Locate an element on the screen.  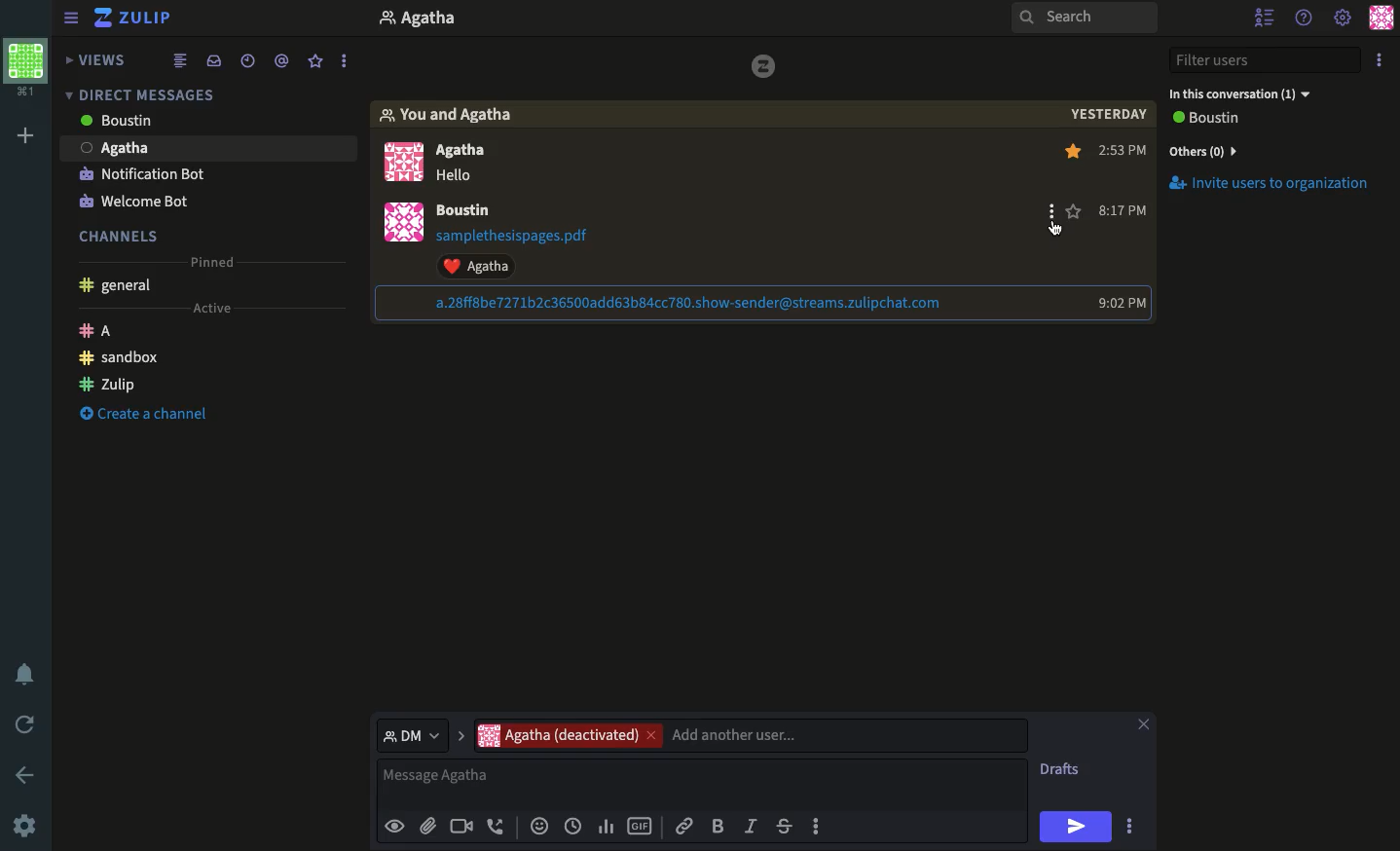
Hide menu is located at coordinates (71, 16).